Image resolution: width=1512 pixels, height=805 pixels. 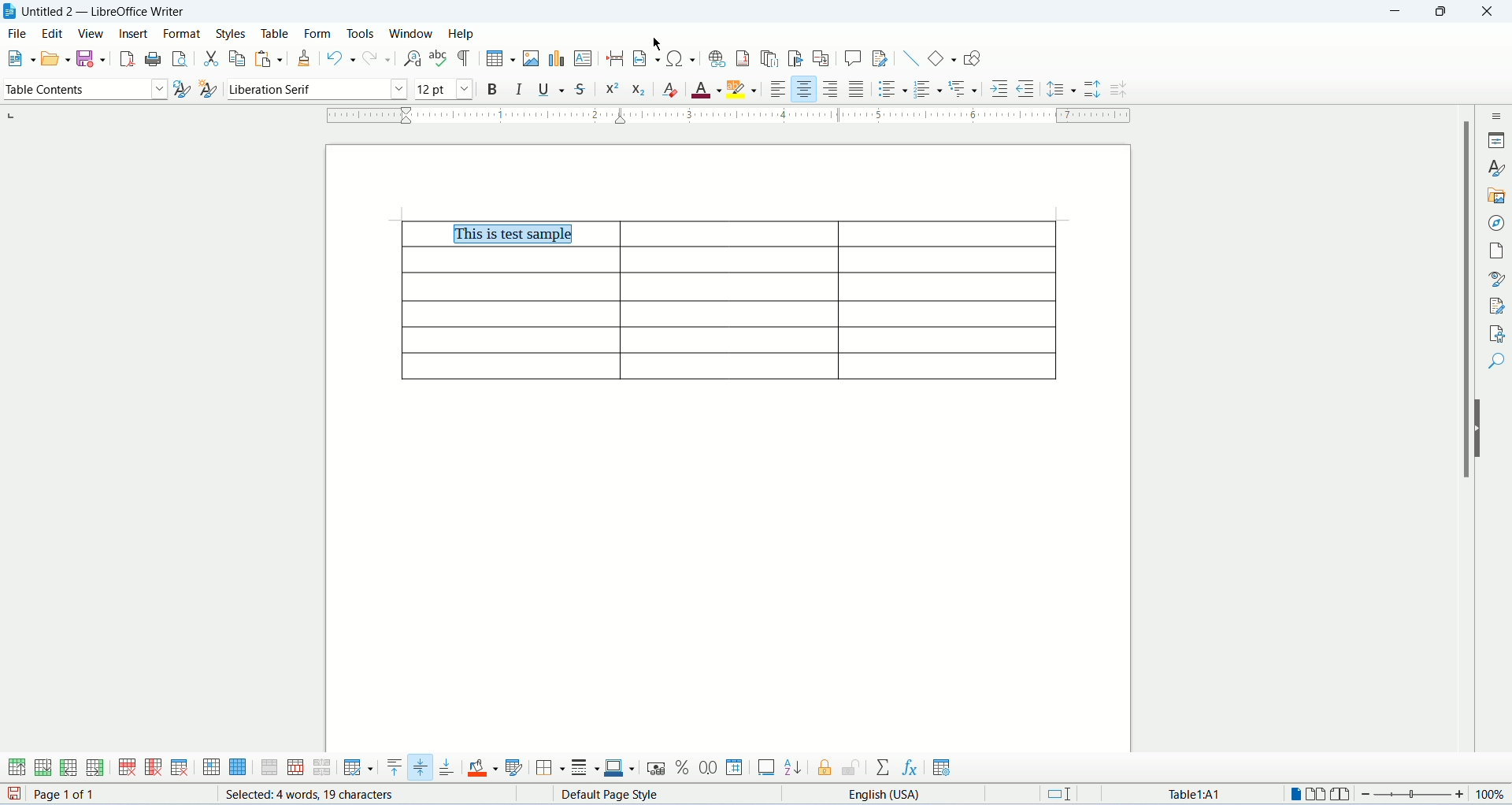 I want to click on ruler, so click(x=728, y=115).